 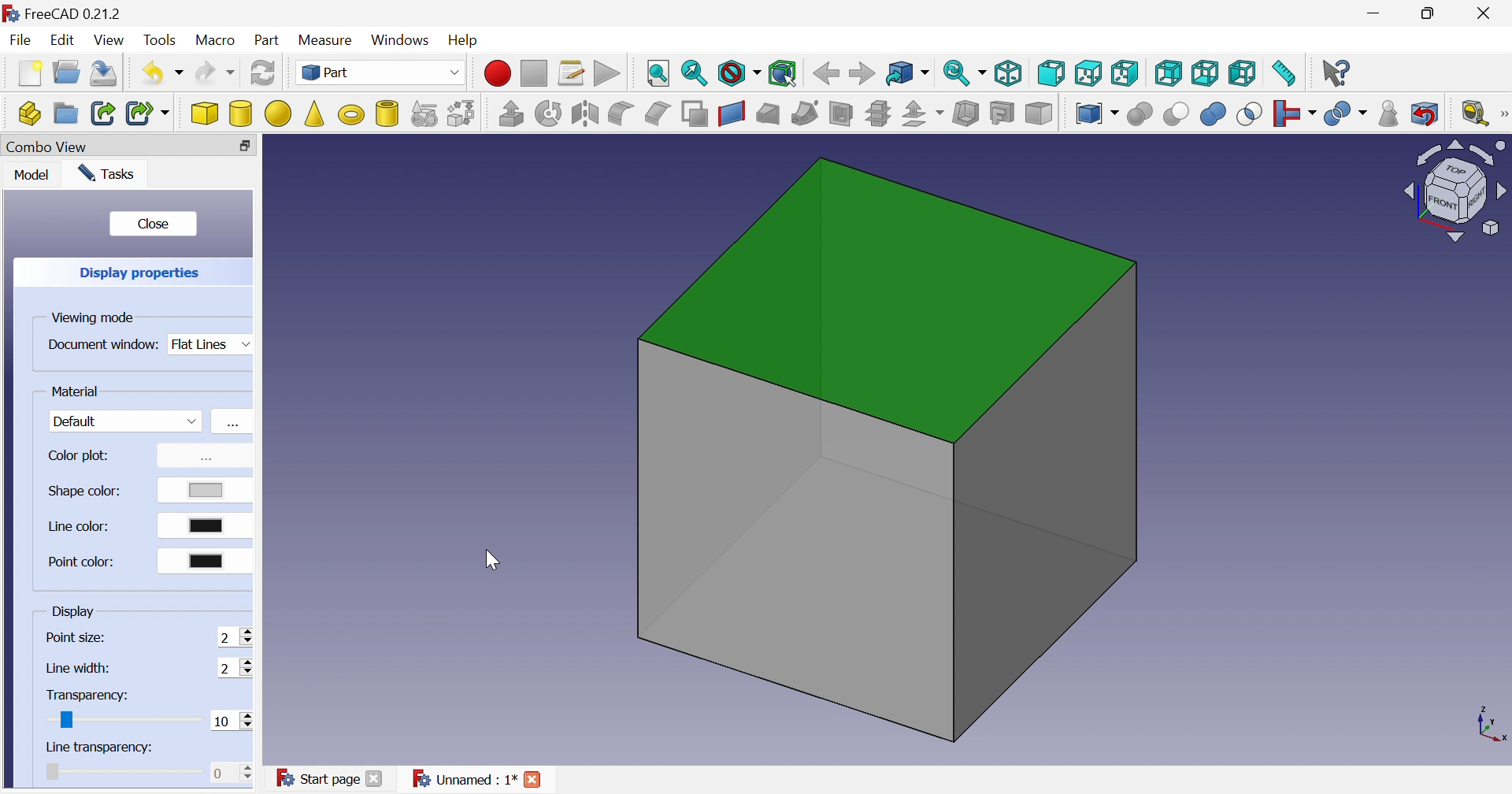 I want to click on Chamfer, so click(x=660, y=113).